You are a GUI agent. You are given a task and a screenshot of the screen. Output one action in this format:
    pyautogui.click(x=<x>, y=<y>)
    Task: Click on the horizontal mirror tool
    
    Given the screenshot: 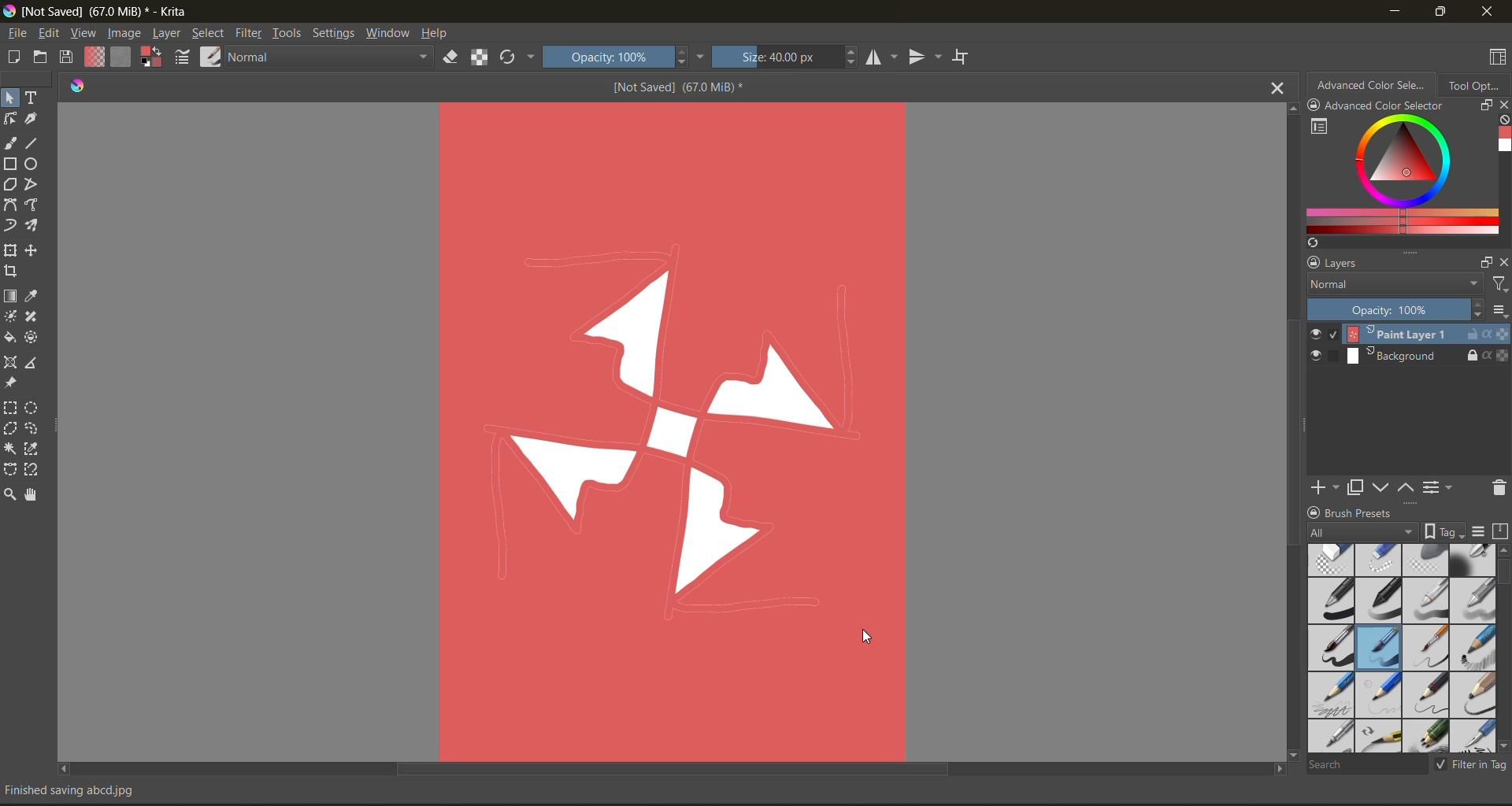 What is the action you would take?
    pyautogui.click(x=884, y=58)
    